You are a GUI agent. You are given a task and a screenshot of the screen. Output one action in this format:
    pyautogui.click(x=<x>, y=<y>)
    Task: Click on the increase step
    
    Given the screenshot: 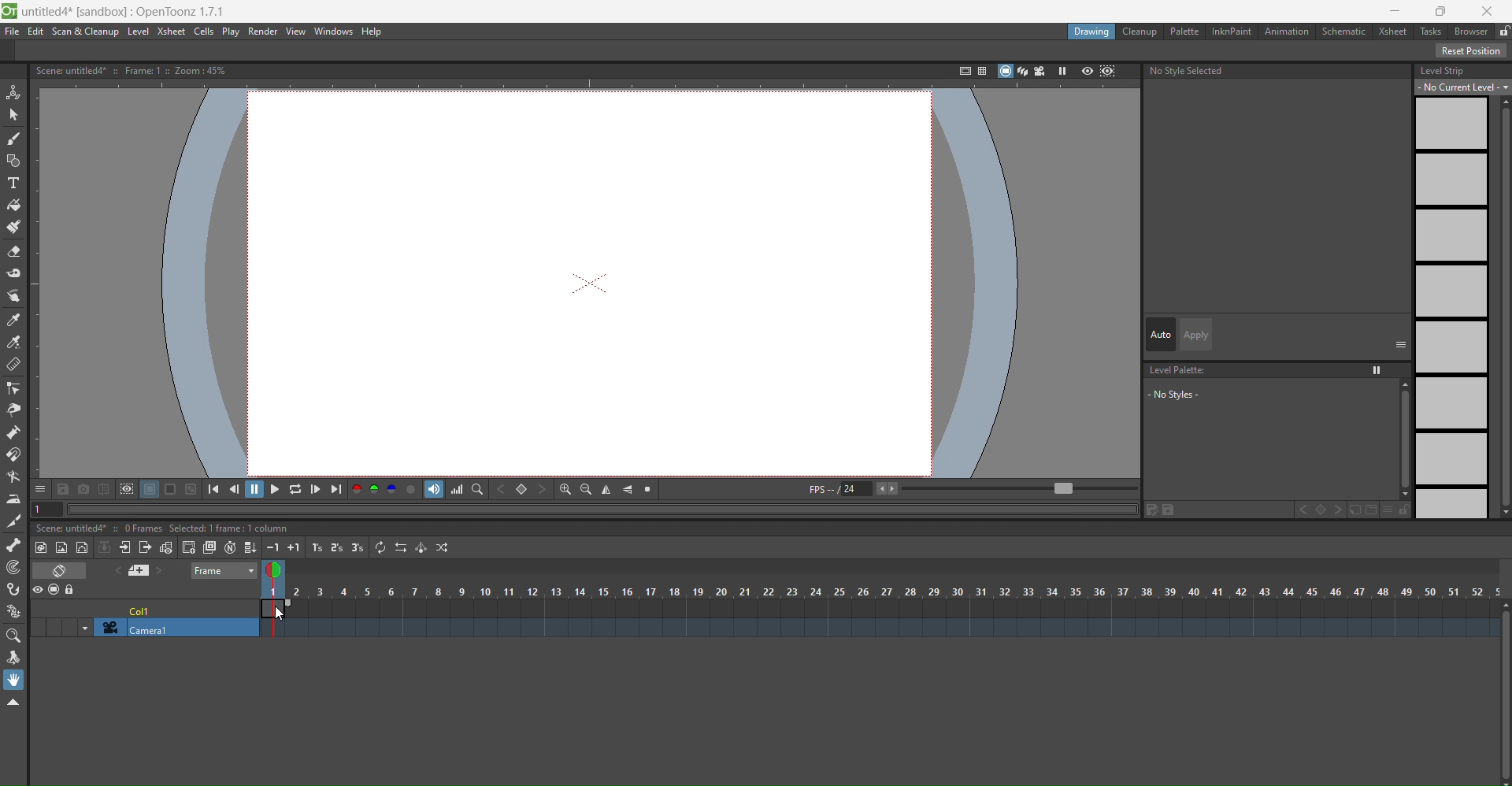 What is the action you would take?
    pyautogui.click(x=315, y=547)
    